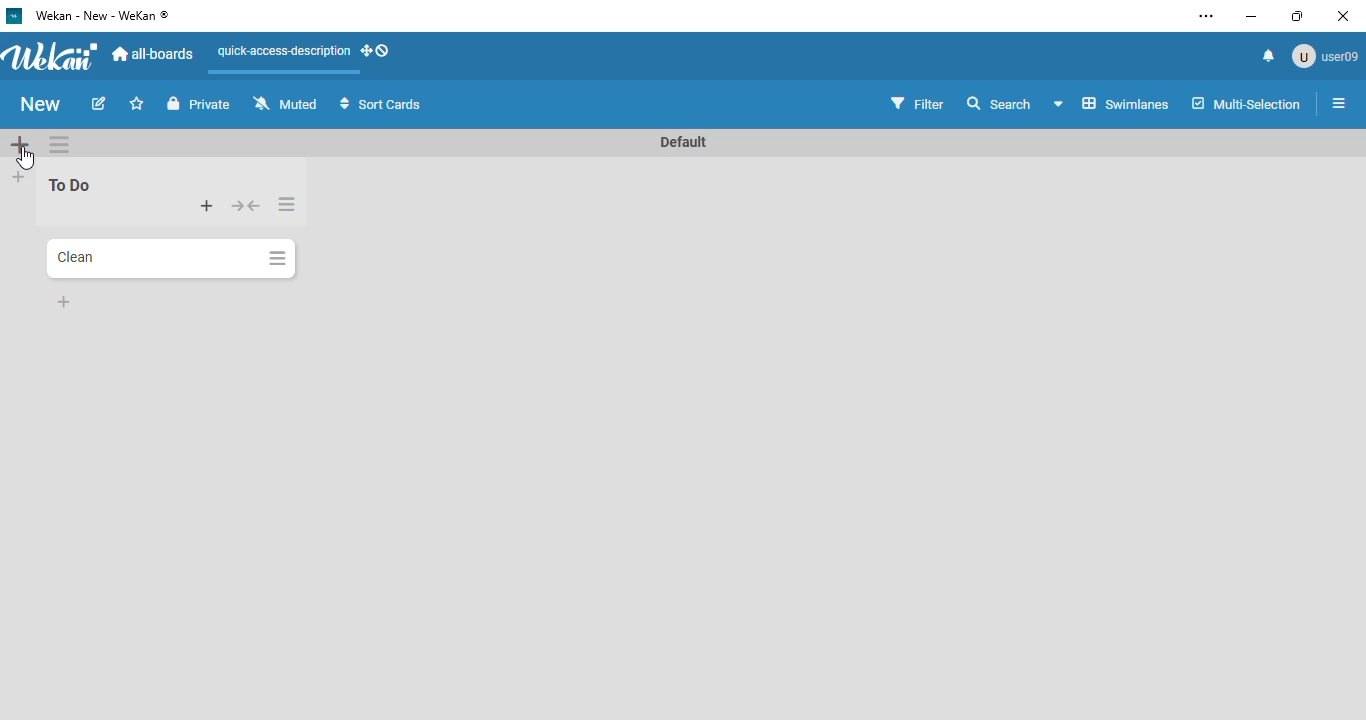 The height and width of the screenshot is (720, 1366). I want to click on all-boards, so click(154, 54).